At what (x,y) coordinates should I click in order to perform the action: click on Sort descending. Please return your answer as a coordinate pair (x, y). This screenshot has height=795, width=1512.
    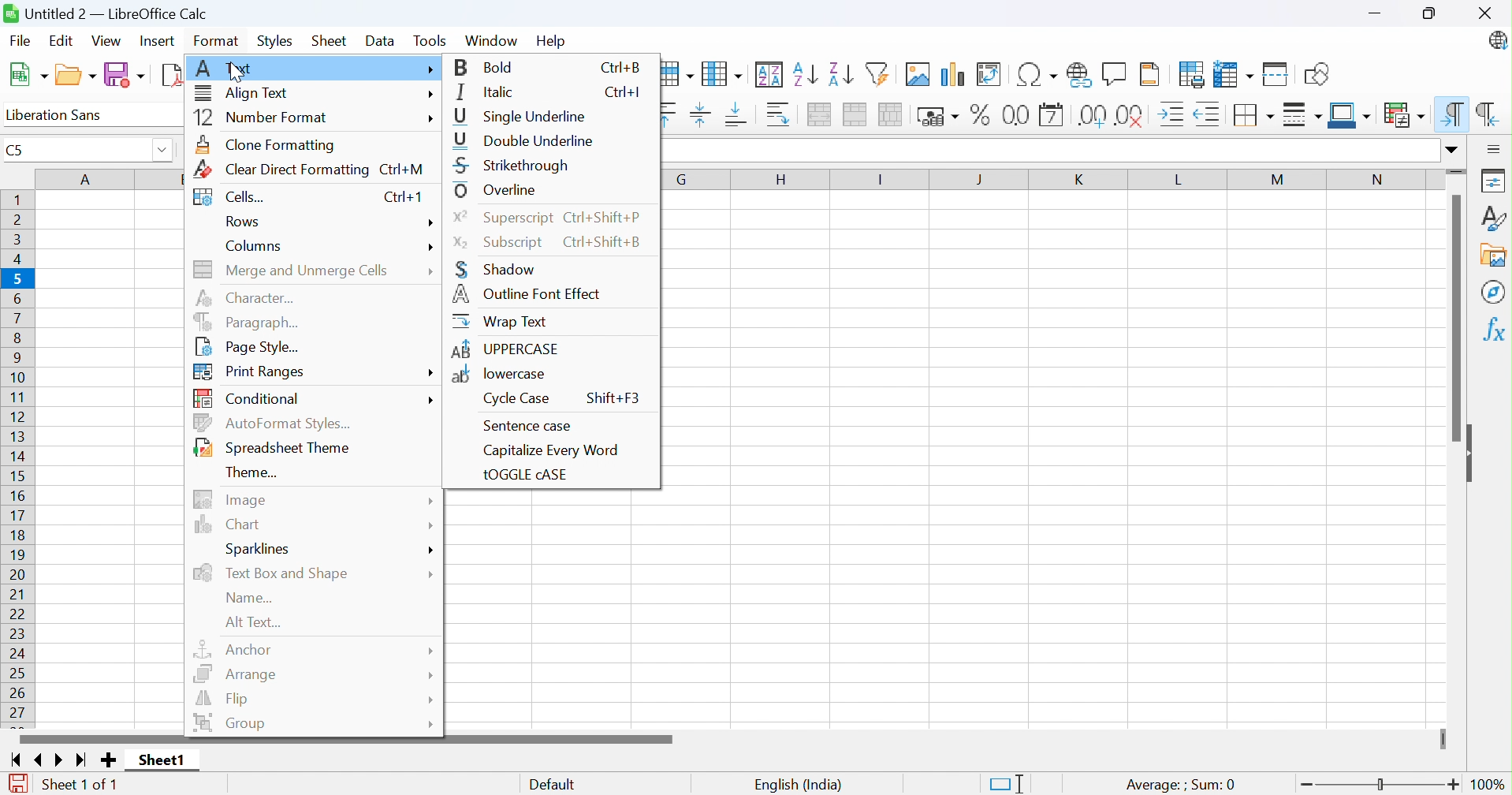
    Looking at the image, I should click on (840, 74).